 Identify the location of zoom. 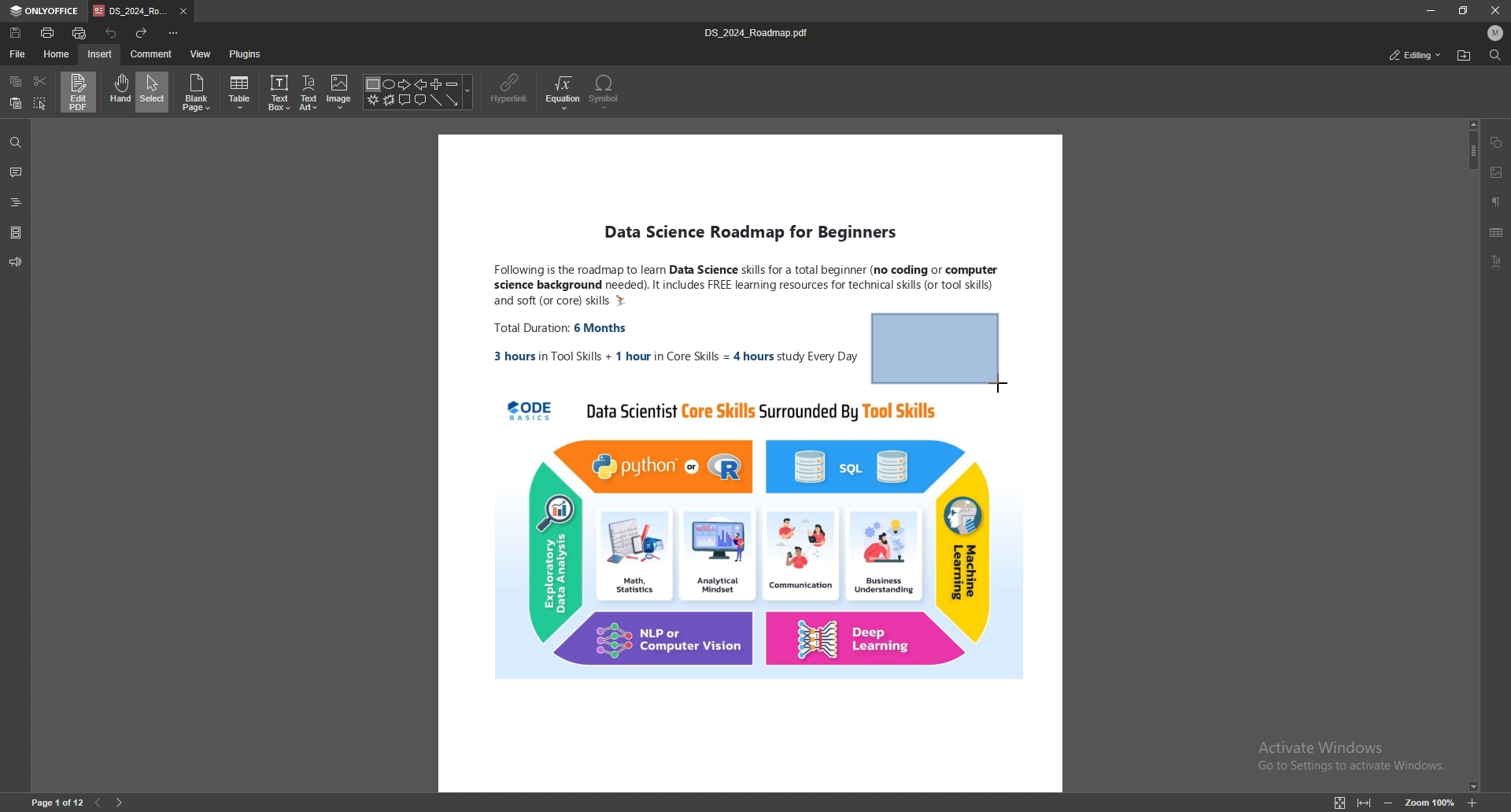
(1432, 802).